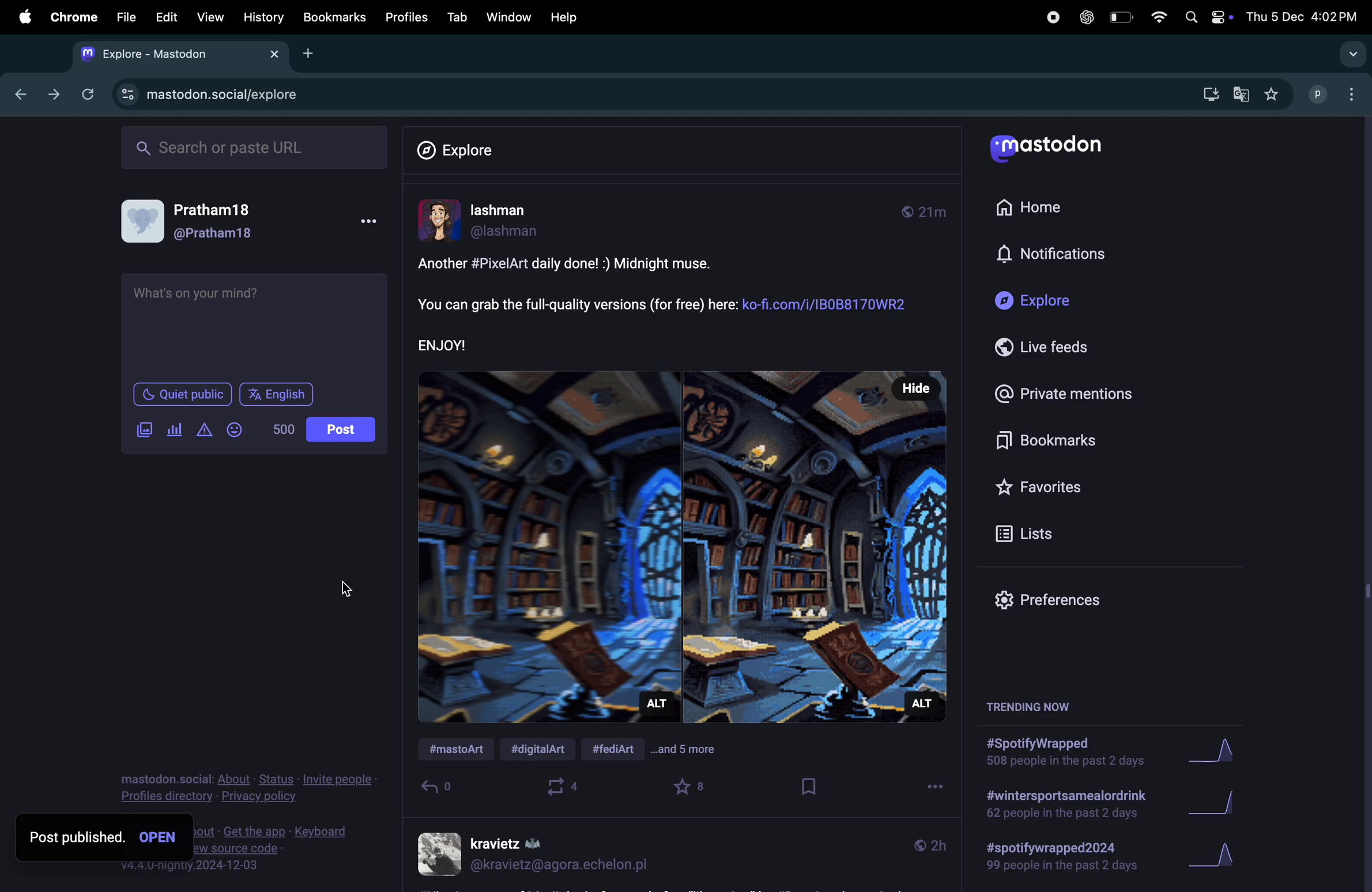  I want to click on Home, so click(1051, 211).